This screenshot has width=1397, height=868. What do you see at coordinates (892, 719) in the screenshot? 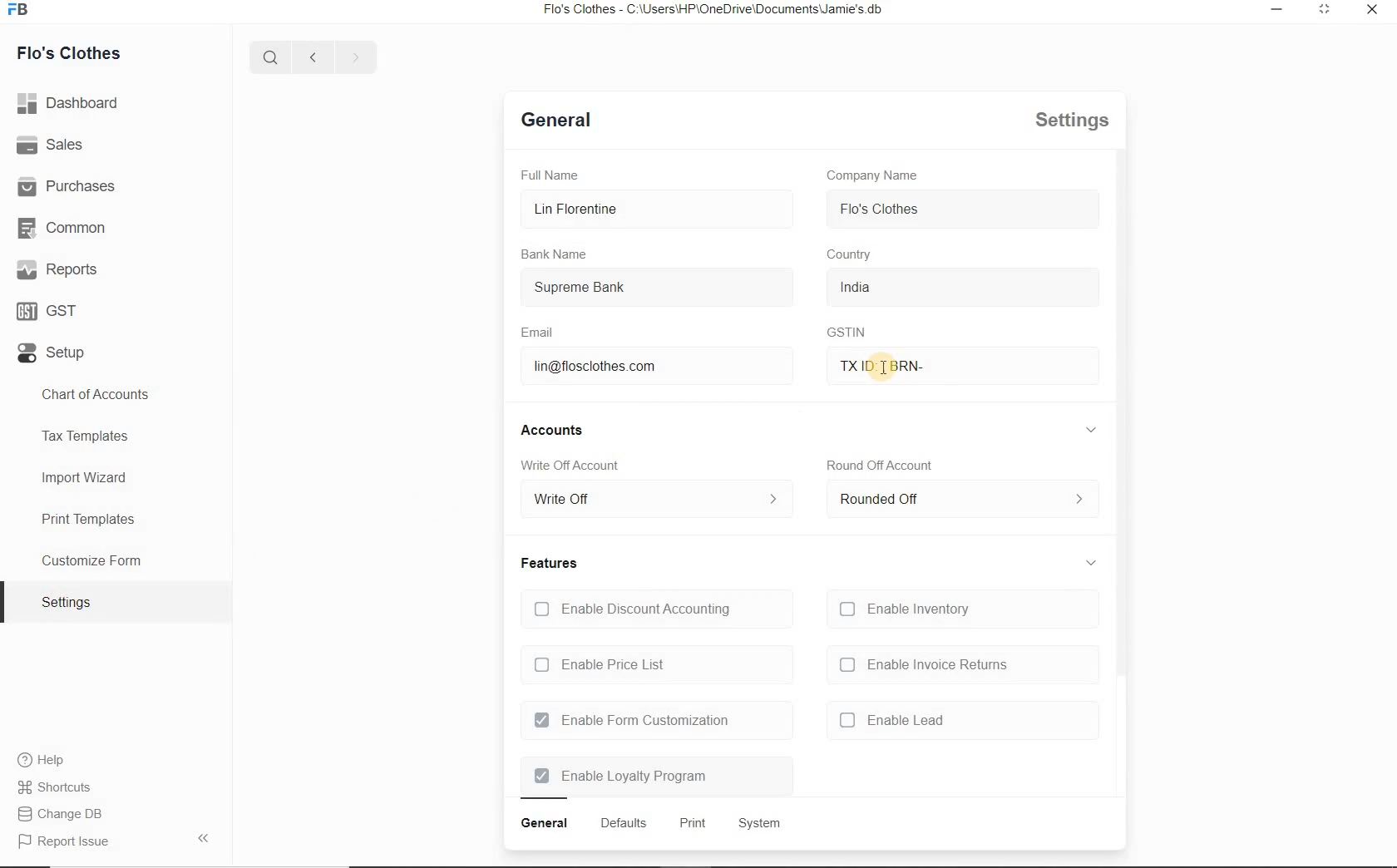
I see `enable lead` at bounding box center [892, 719].